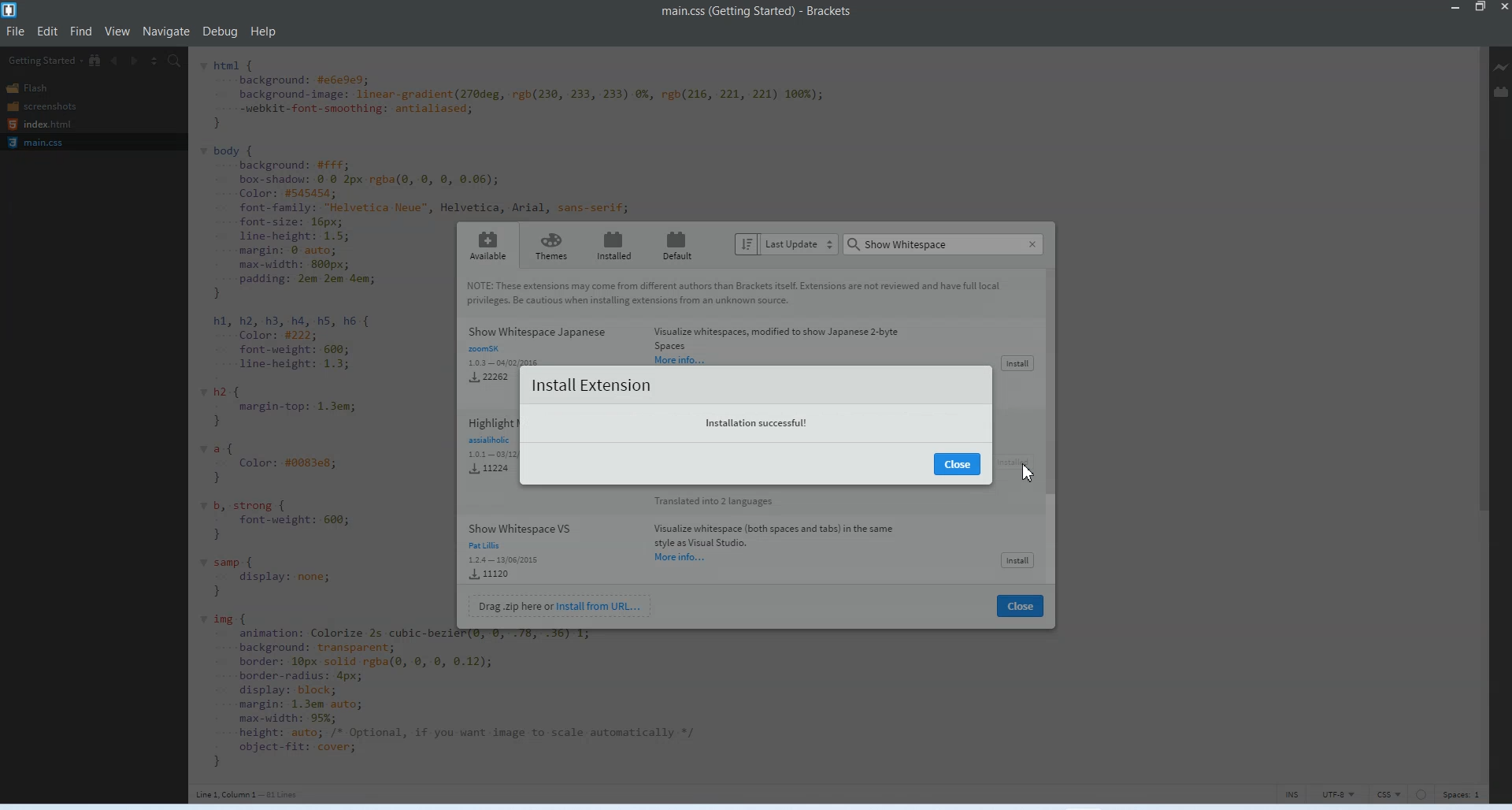 This screenshot has width=1512, height=810. I want to click on INS, so click(1288, 794).